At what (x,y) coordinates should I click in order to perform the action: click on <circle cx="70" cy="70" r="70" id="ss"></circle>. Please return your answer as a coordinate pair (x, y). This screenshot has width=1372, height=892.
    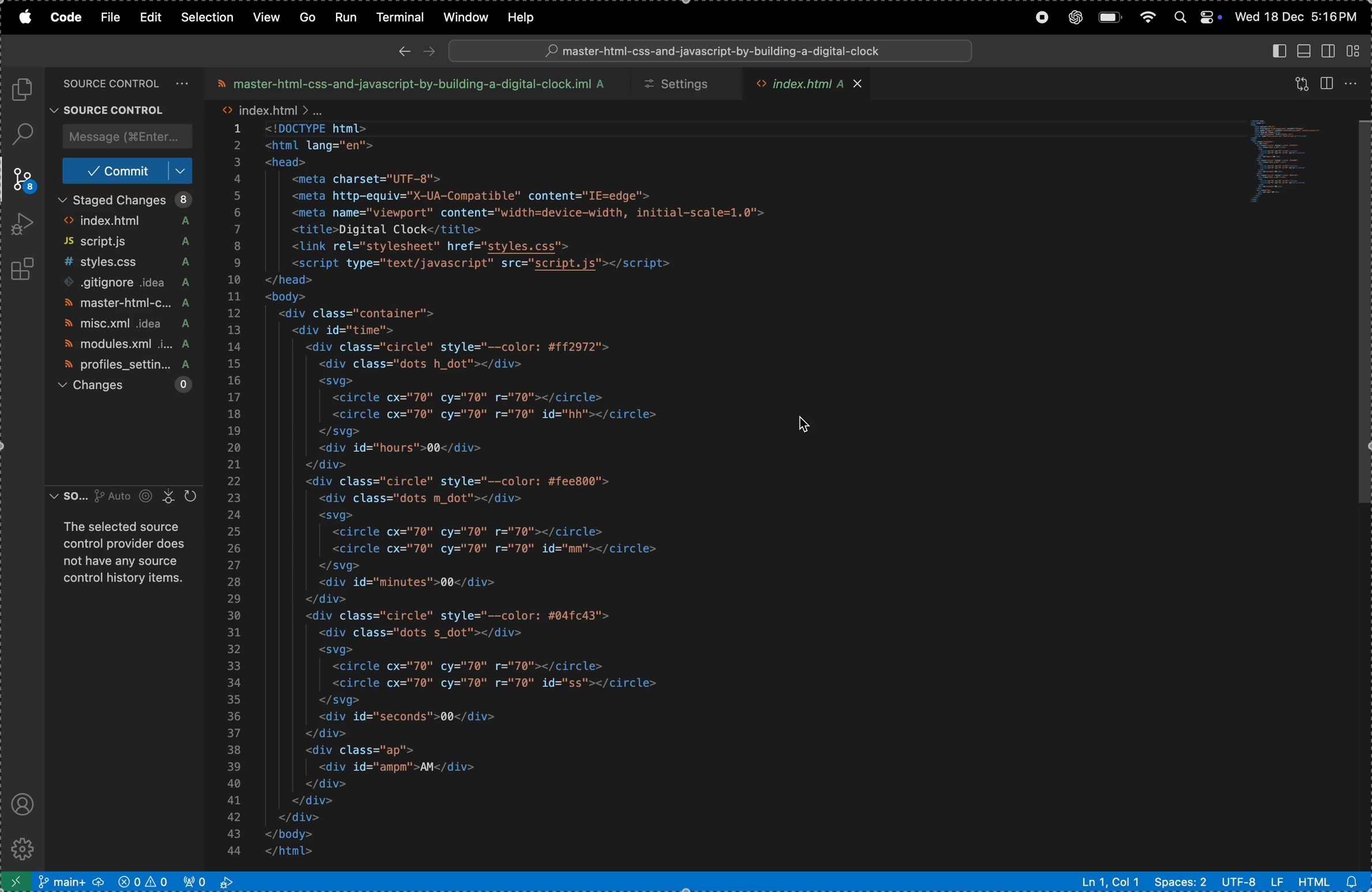
    Looking at the image, I should click on (499, 685).